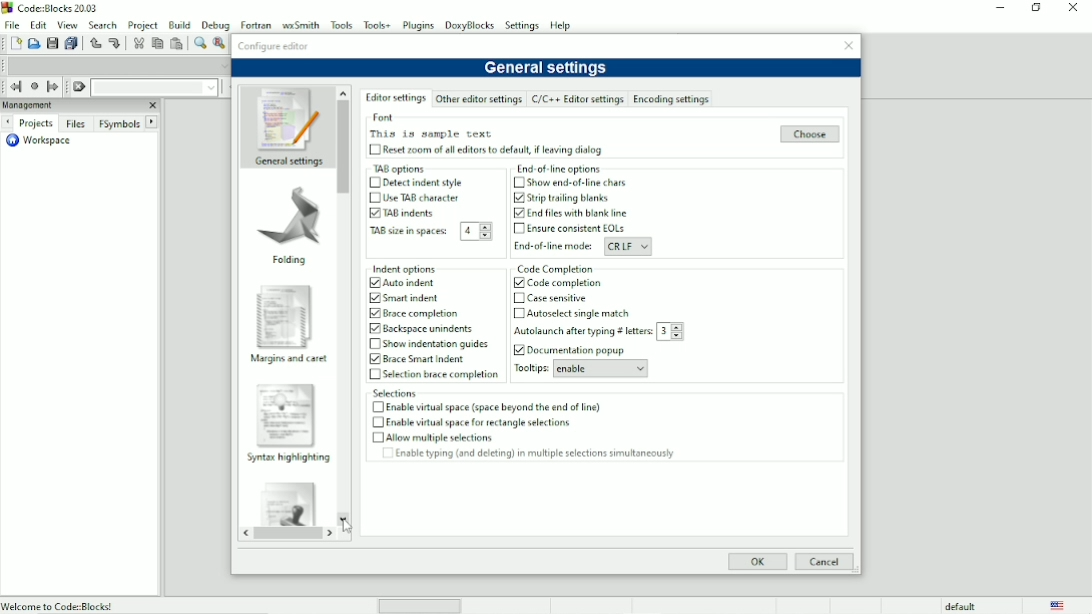 The width and height of the screenshot is (1092, 614). What do you see at coordinates (442, 375) in the screenshot?
I see `Selection brace completion` at bounding box center [442, 375].